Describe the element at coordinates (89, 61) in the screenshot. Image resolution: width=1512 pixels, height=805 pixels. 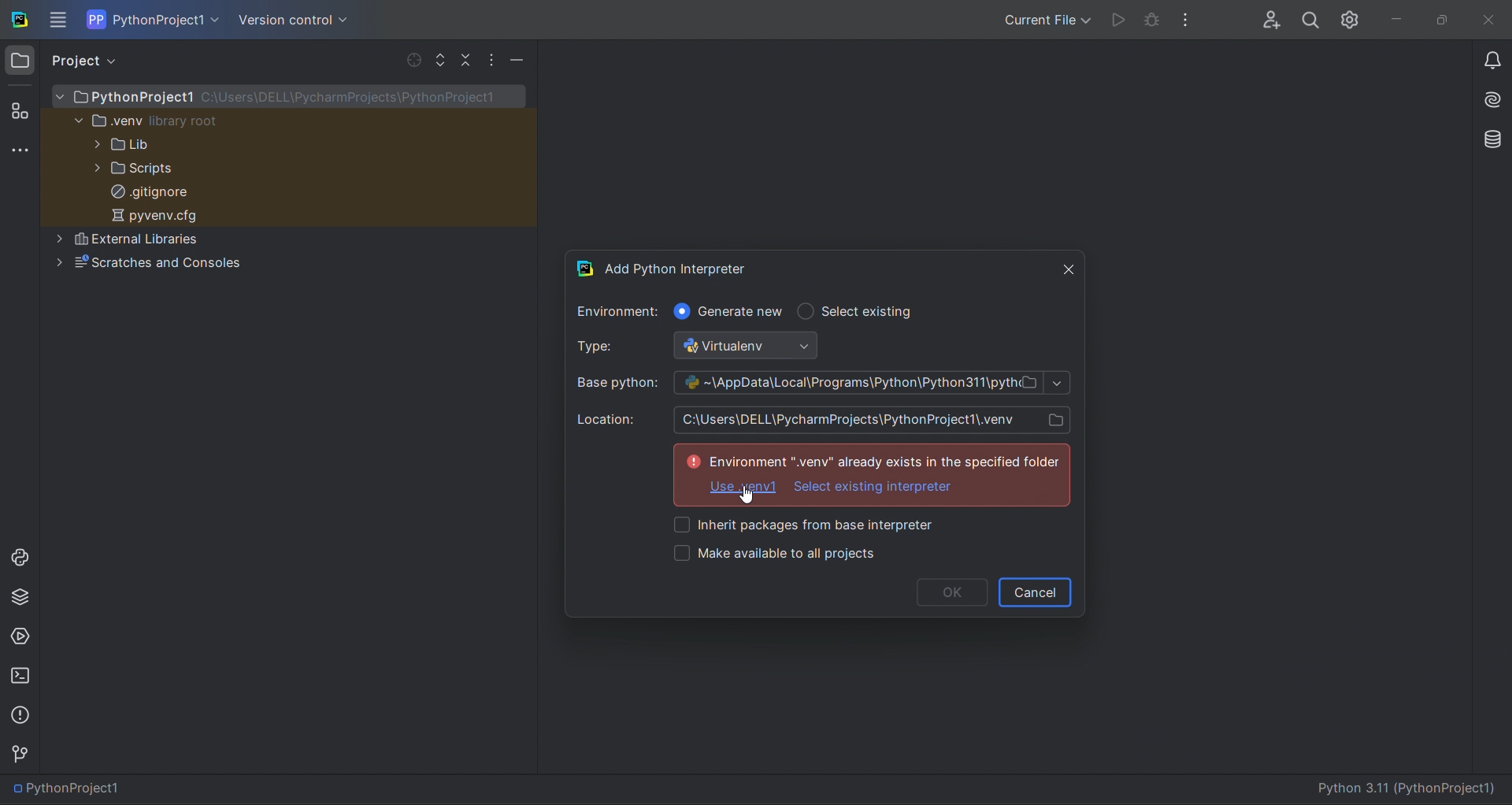
I see `project` at that location.